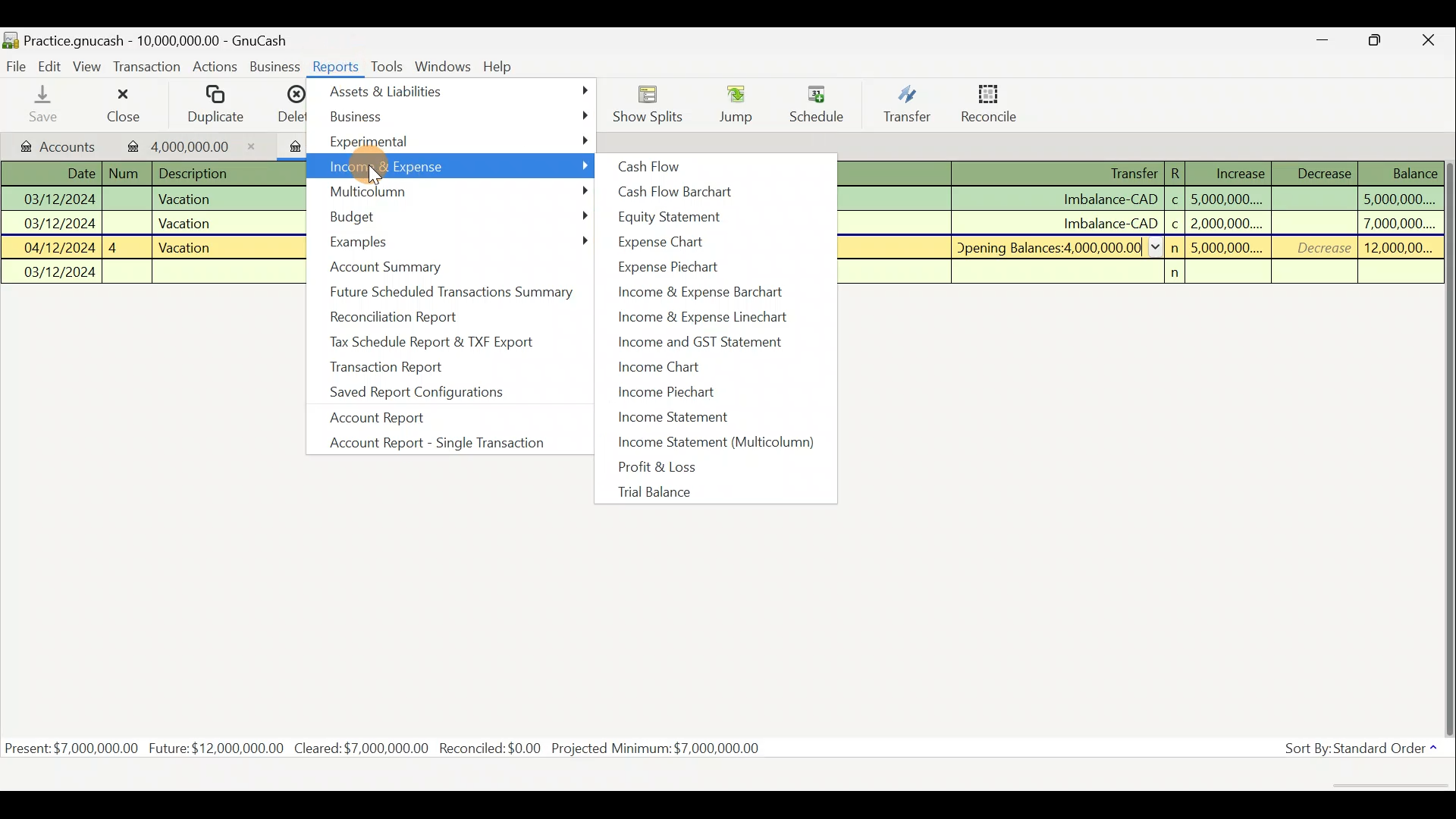 The height and width of the screenshot is (819, 1456). Describe the element at coordinates (671, 266) in the screenshot. I see `Expense pie chart` at that location.